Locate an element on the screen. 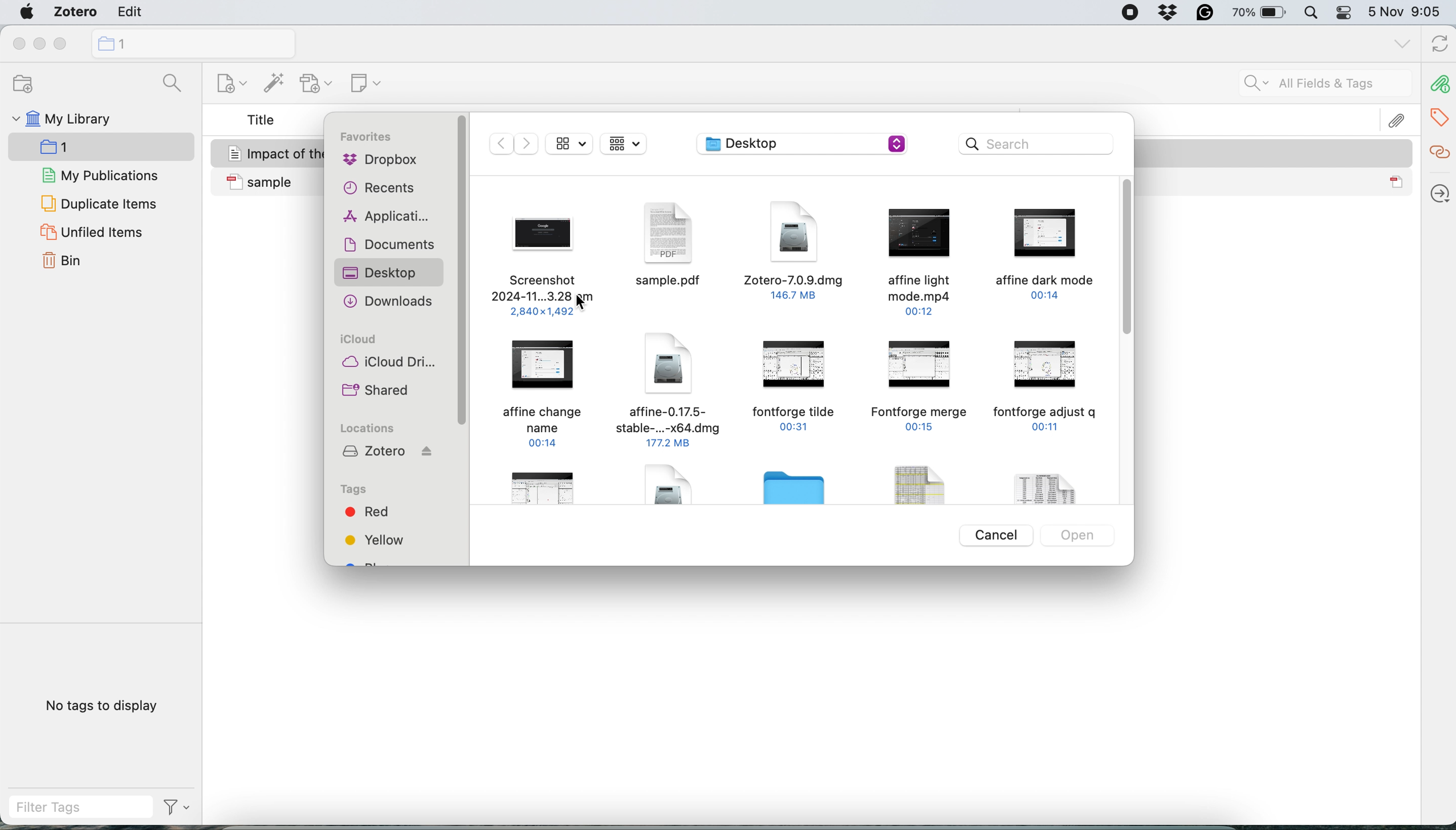 The width and height of the screenshot is (1456, 830). bin is located at coordinates (67, 262).